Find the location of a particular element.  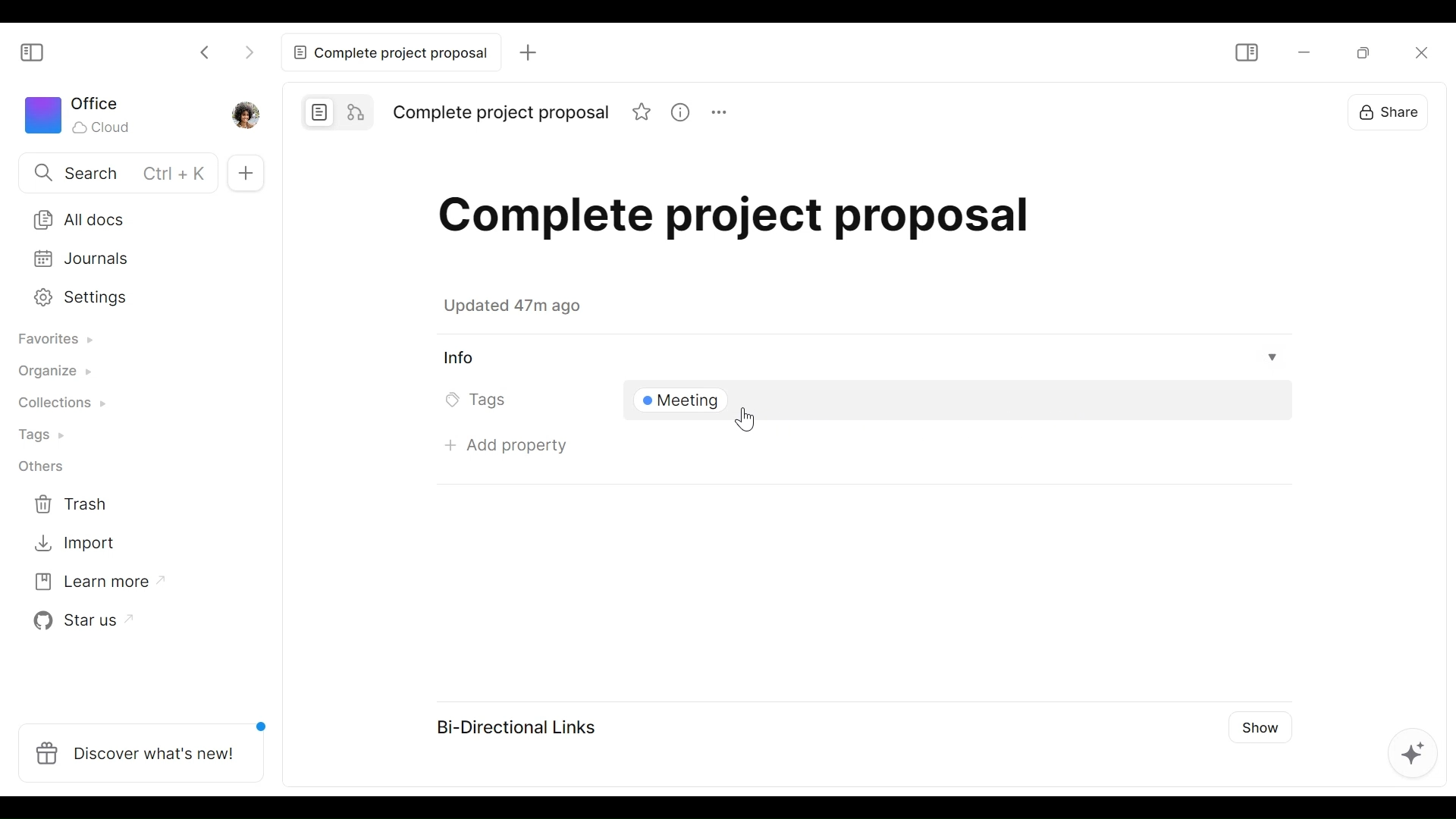

Learn more is located at coordinates (93, 585).